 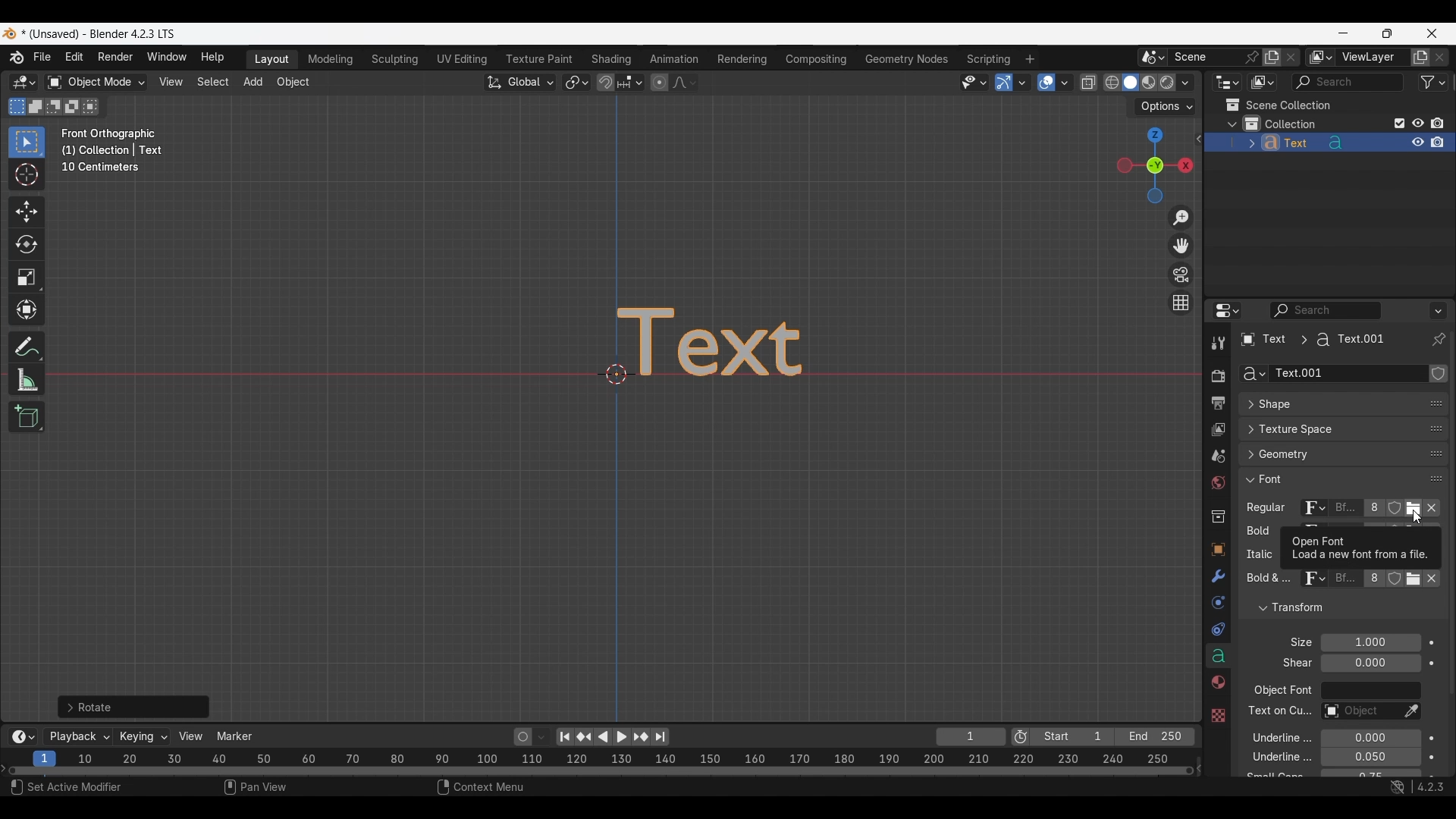 I want to click on Change in text rotation saved by pressing enter, so click(x=734, y=342).